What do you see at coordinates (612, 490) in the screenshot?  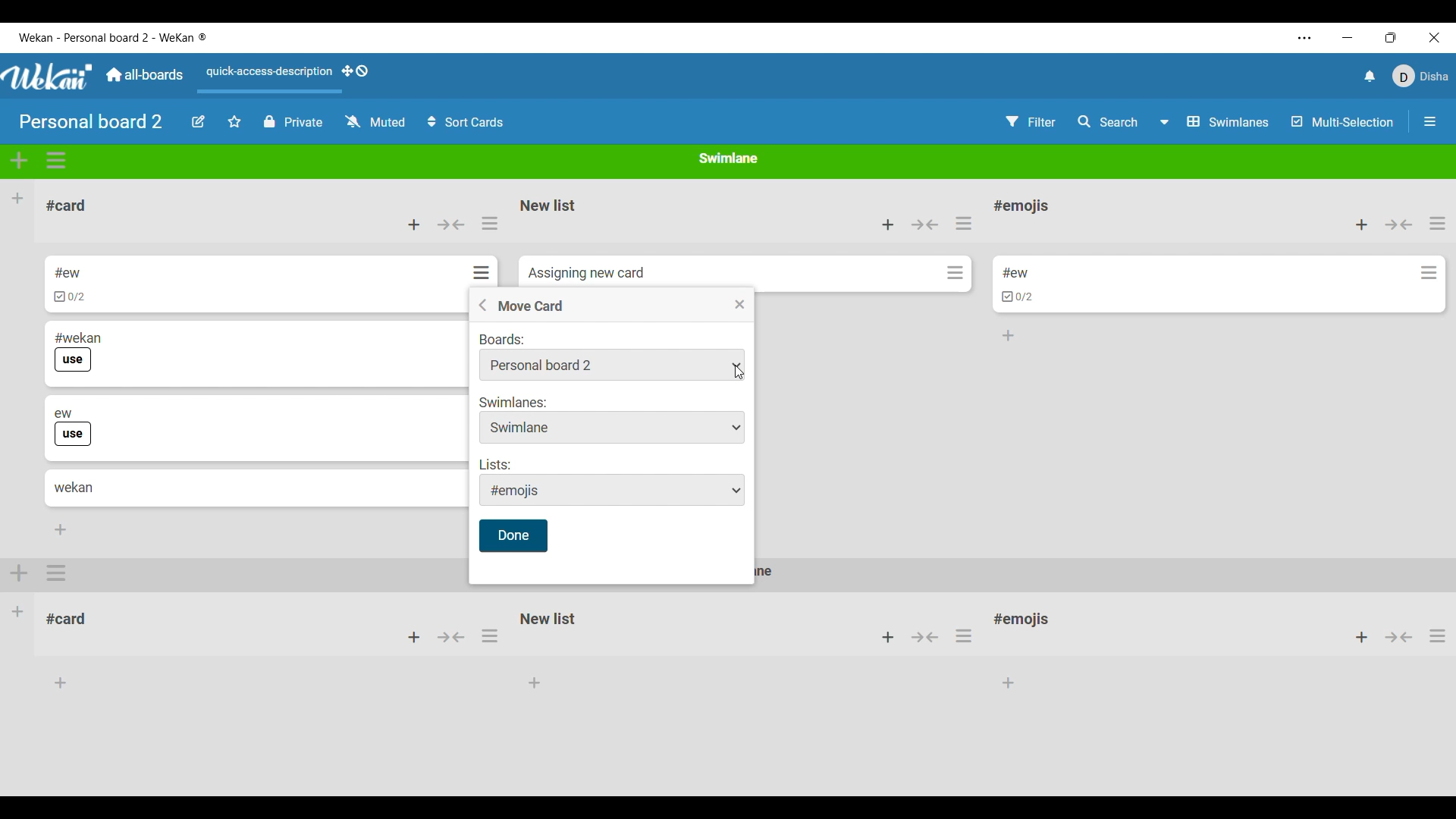 I see `List options` at bounding box center [612, 490].